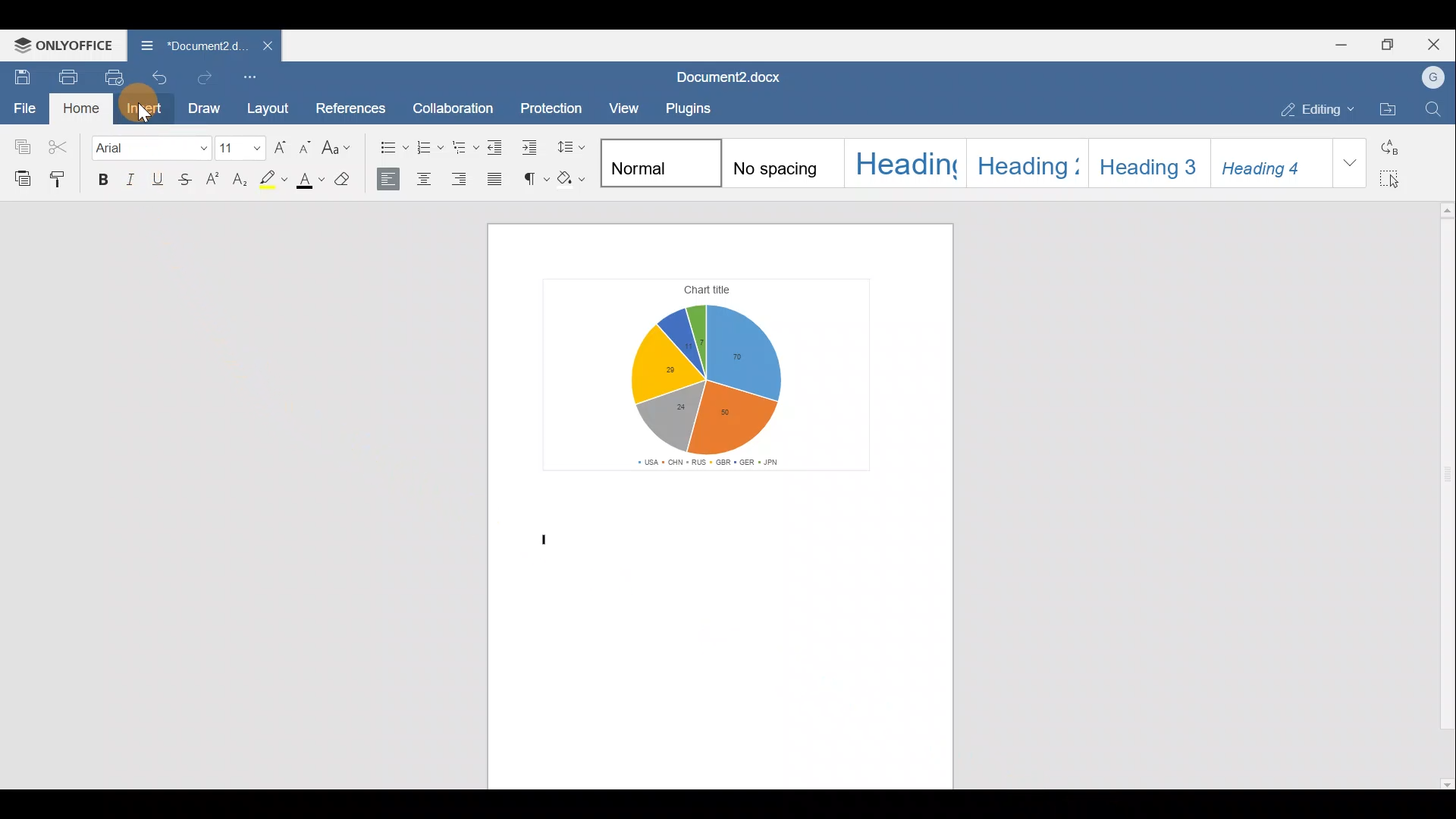  I want to click on Paragraph line spacing, so click(575, 147).